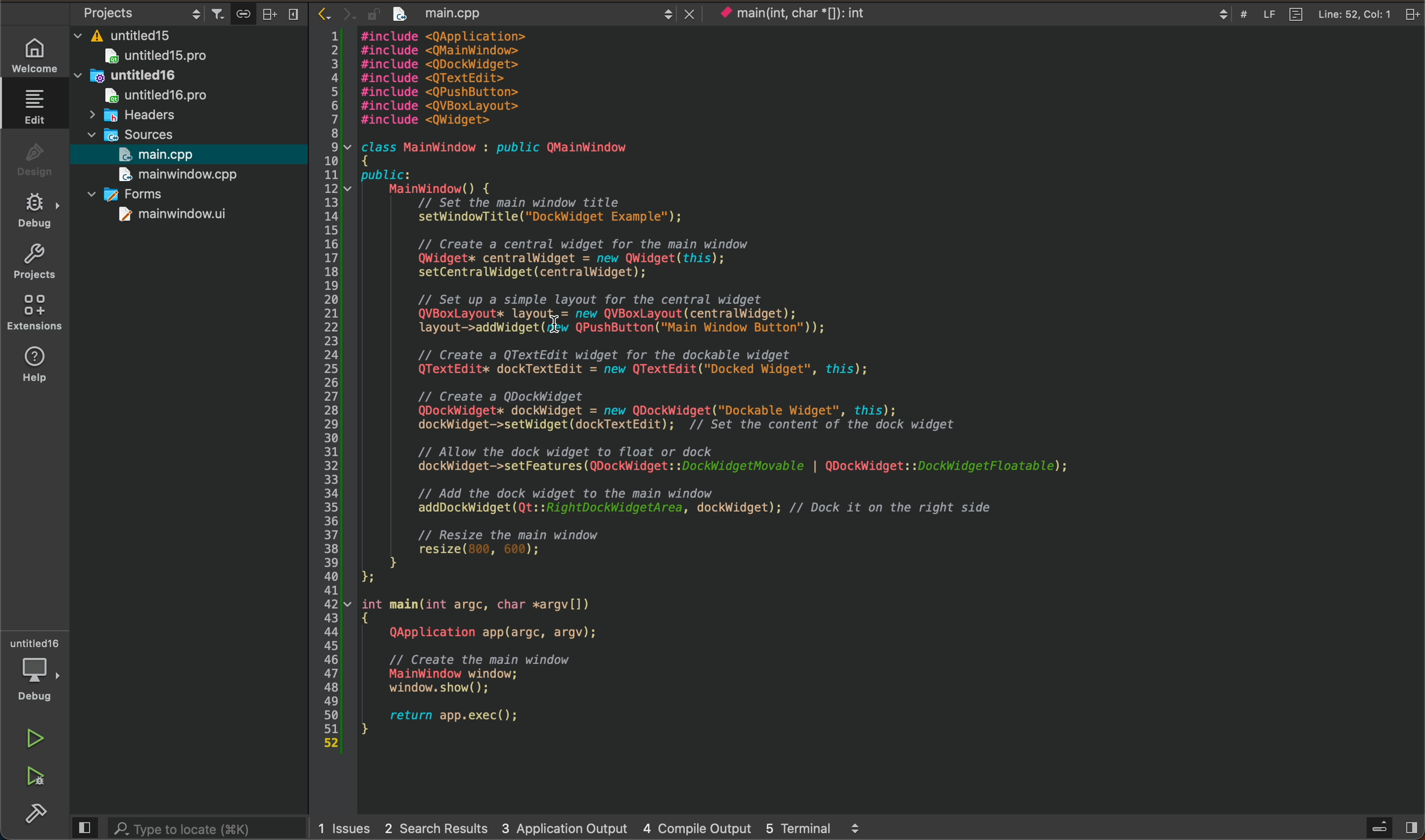 Image resolution: width=1425 pixels, height=840 pixels. I want to click on projects, so click(35, 259).